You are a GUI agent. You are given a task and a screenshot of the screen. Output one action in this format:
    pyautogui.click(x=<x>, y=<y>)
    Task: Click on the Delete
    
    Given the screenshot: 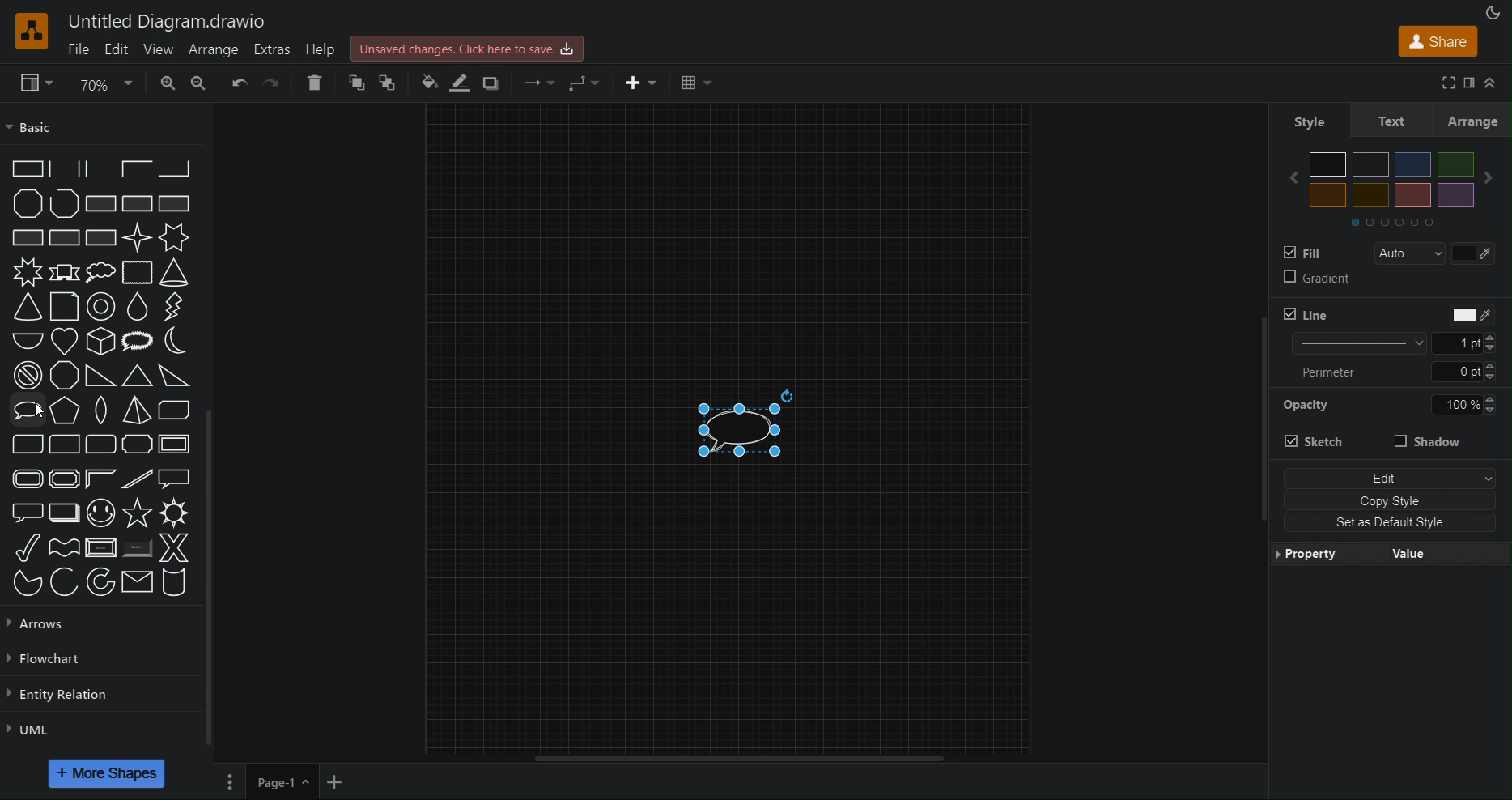 What is the action you would take?
    pyautogui.click(x=312, y=85)
    